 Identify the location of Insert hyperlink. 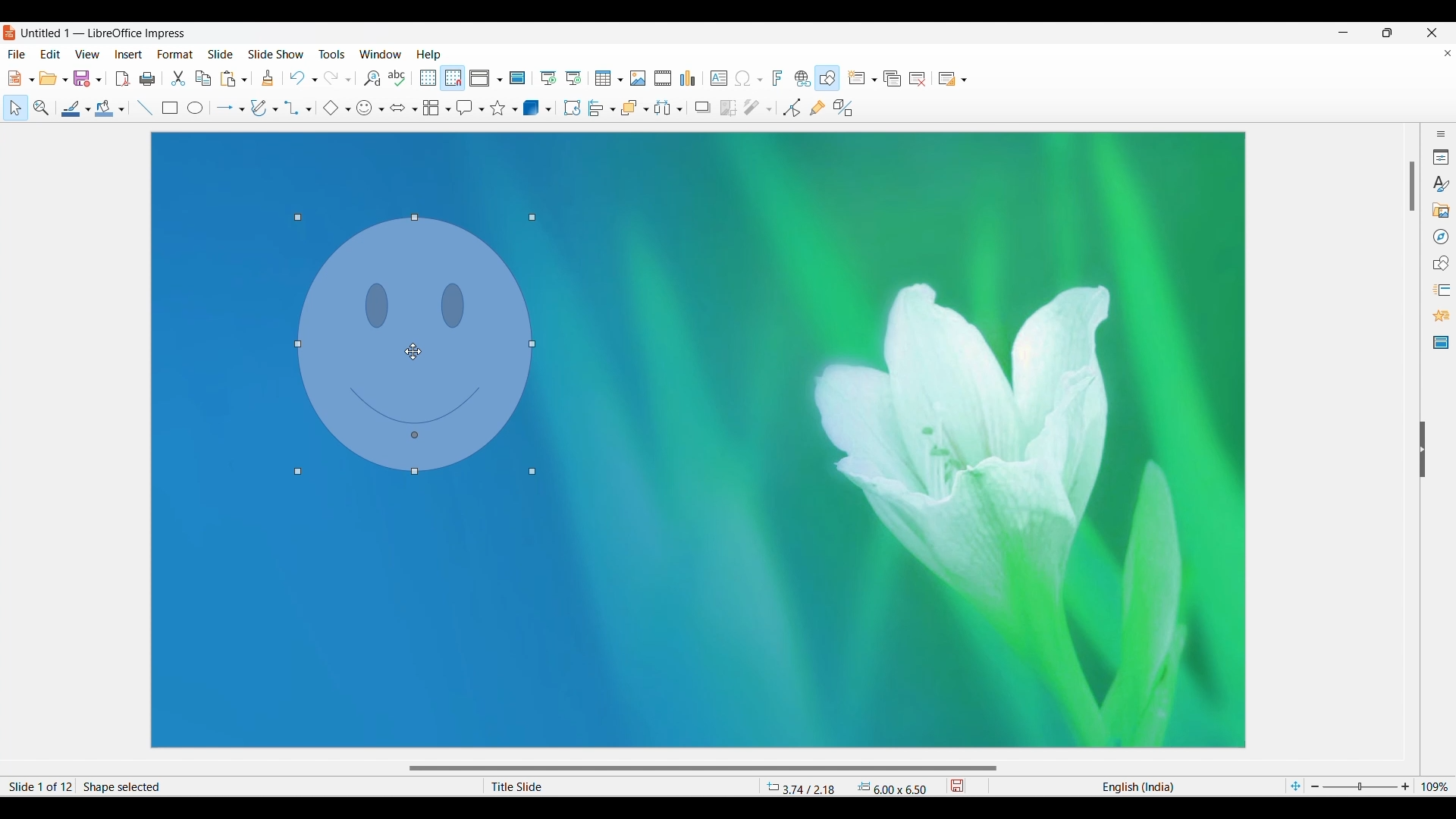
(803, 78).